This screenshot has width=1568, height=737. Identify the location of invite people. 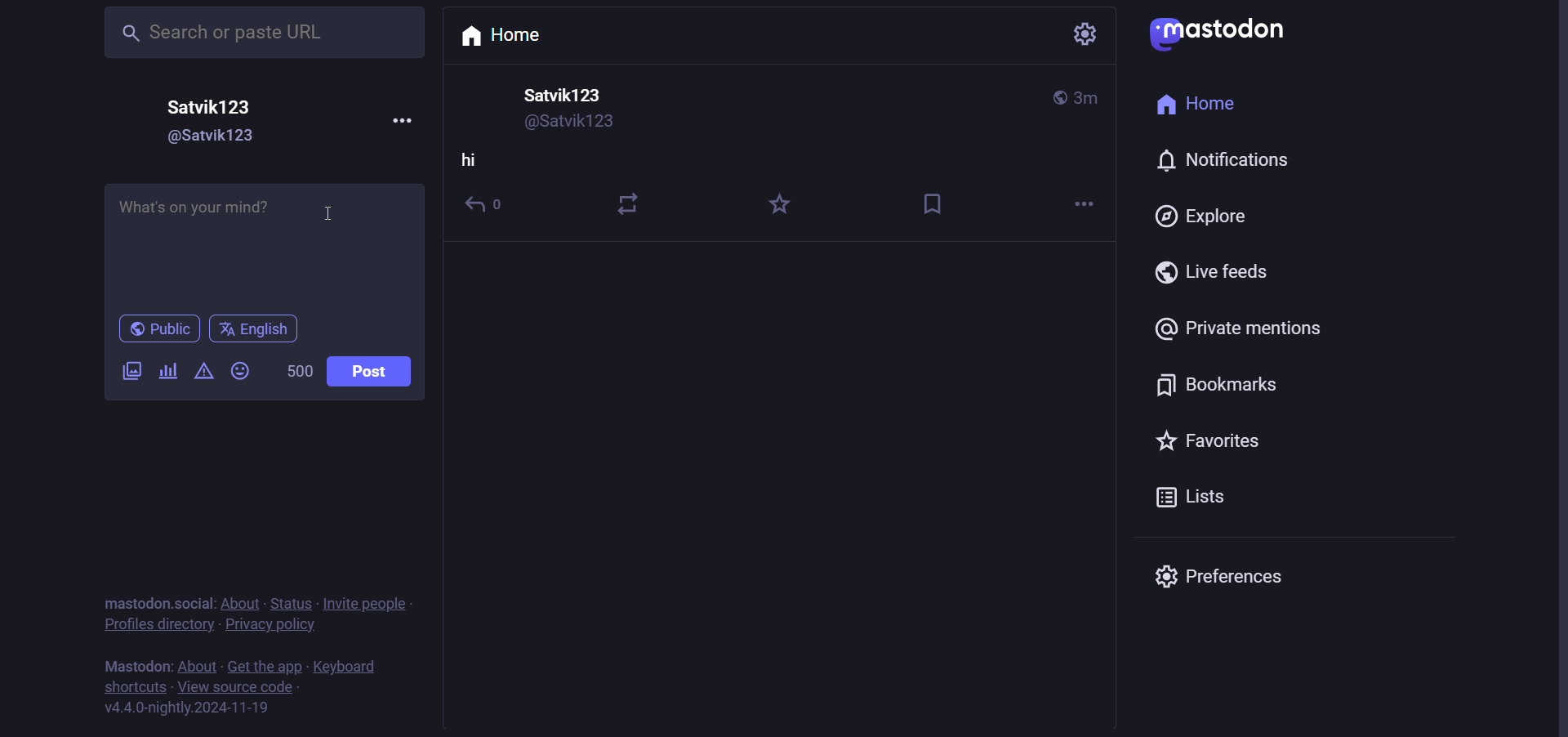
(371, 603).